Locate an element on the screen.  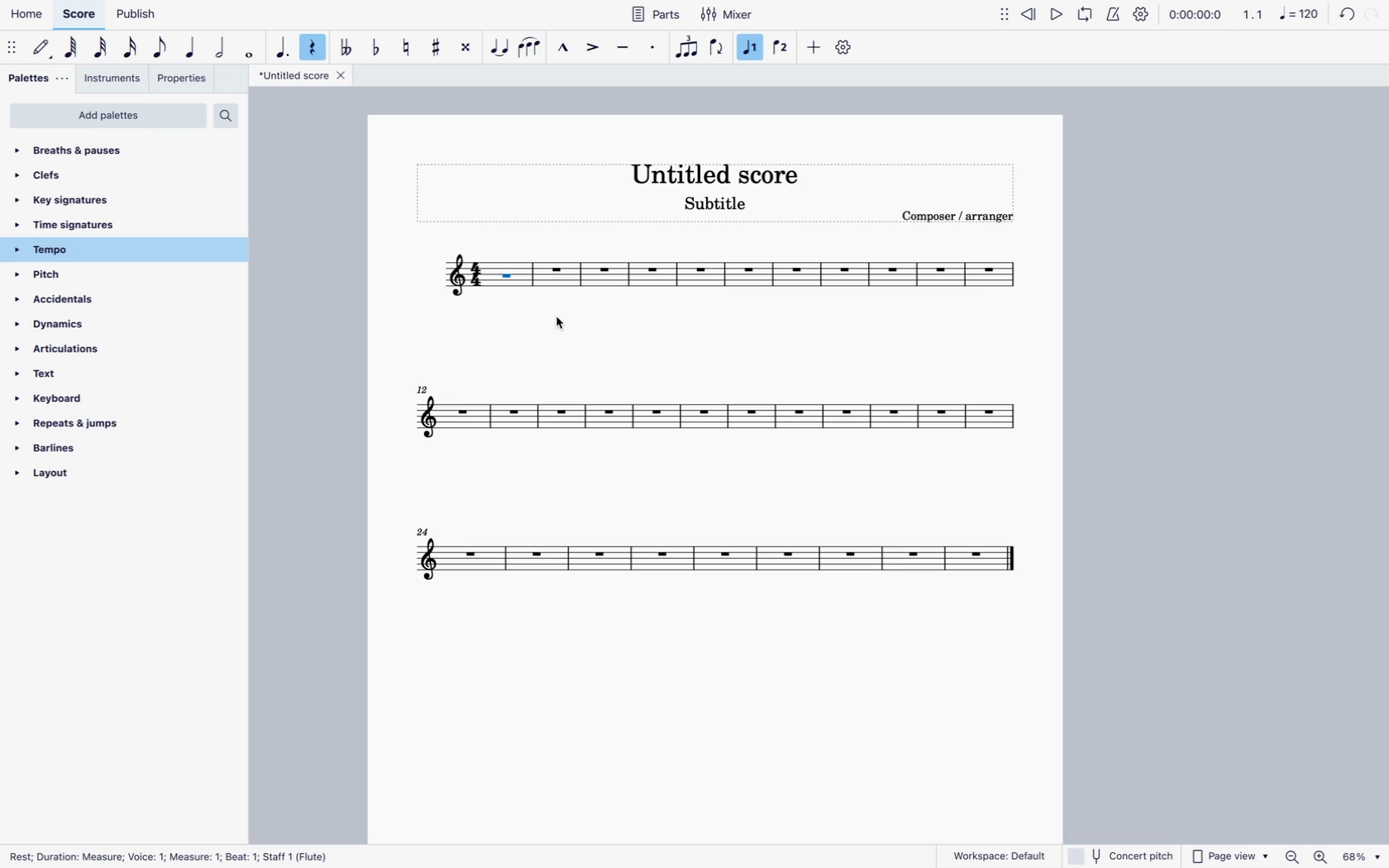
Rest; Duration: Measure; Voice: 1; Measure: 1; Beat: 1; Staff 1 (Flute) is located at coordinates (179, 857).